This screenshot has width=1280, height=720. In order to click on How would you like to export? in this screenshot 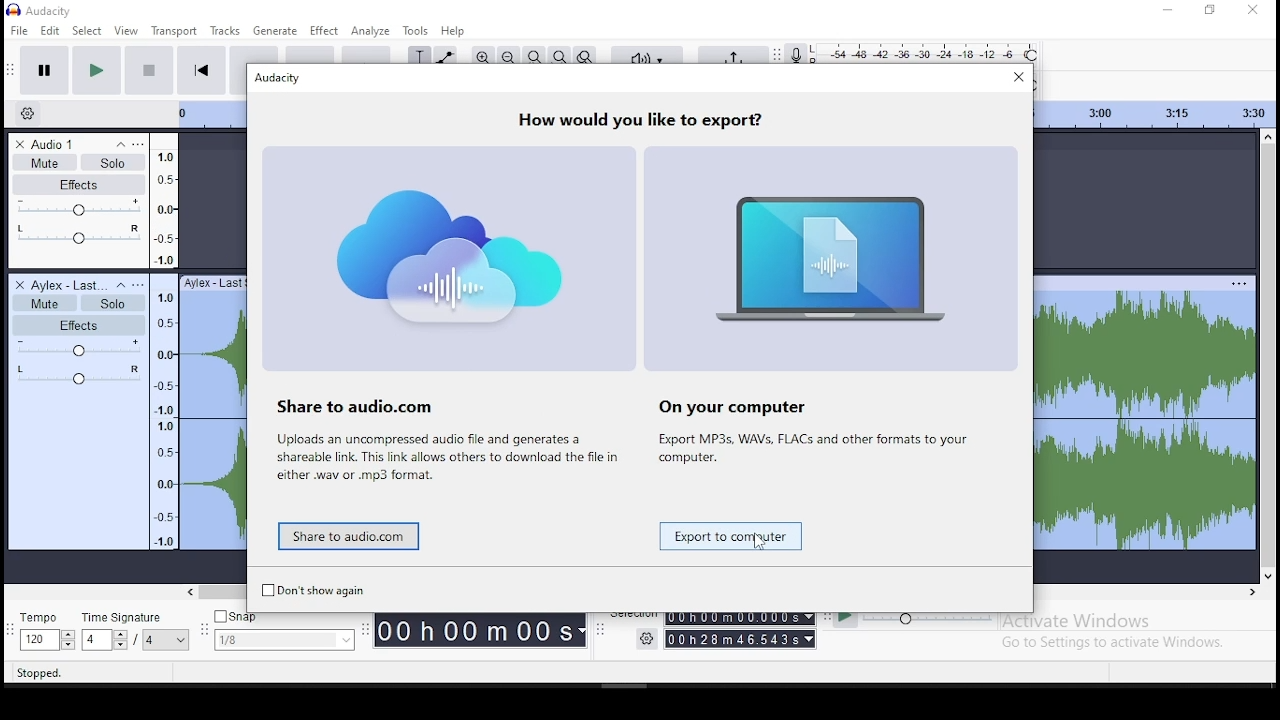, I will do `click(640, 120)`.